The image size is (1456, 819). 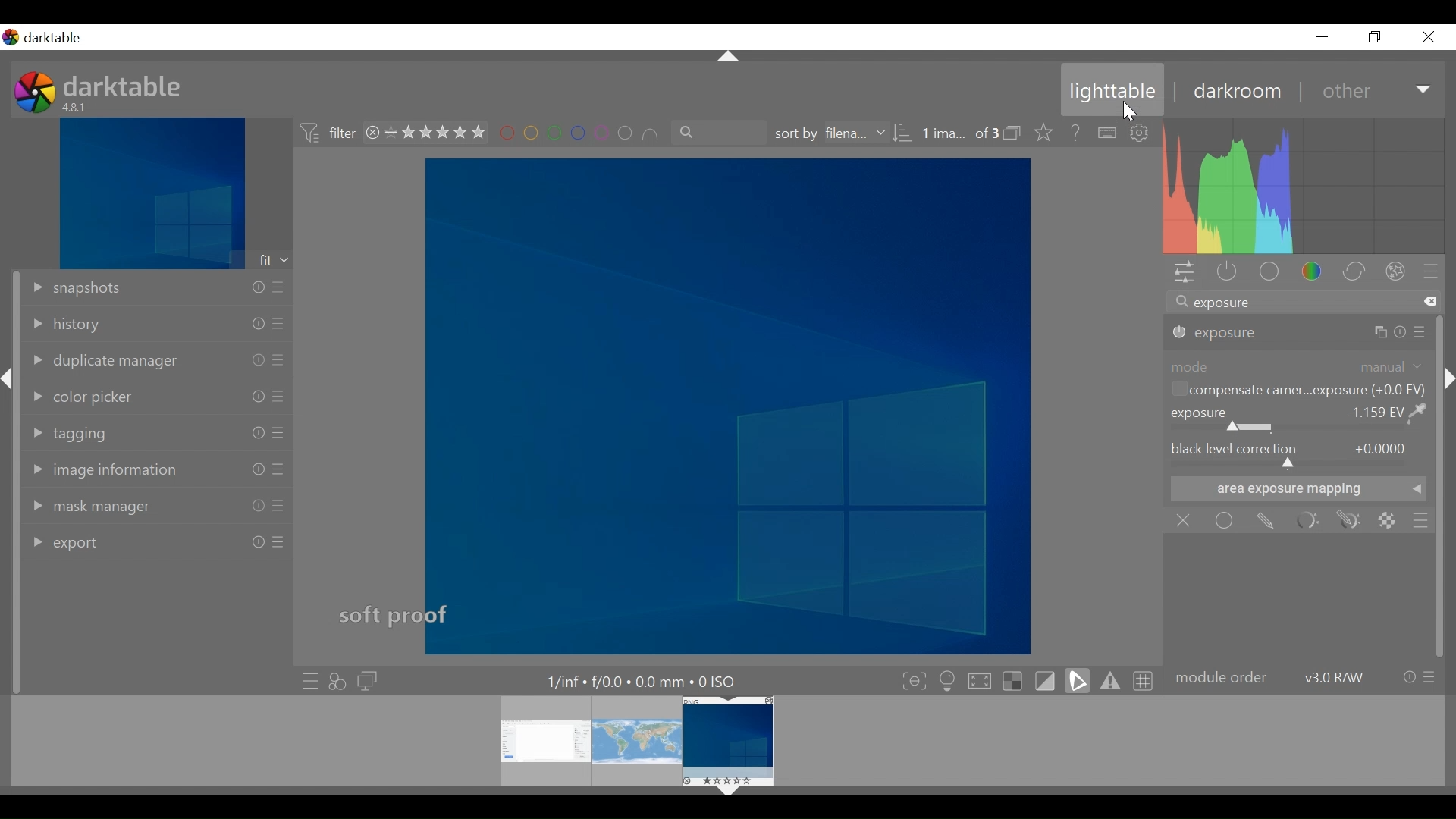 I want to click on presets, so click(x=277, y=287).